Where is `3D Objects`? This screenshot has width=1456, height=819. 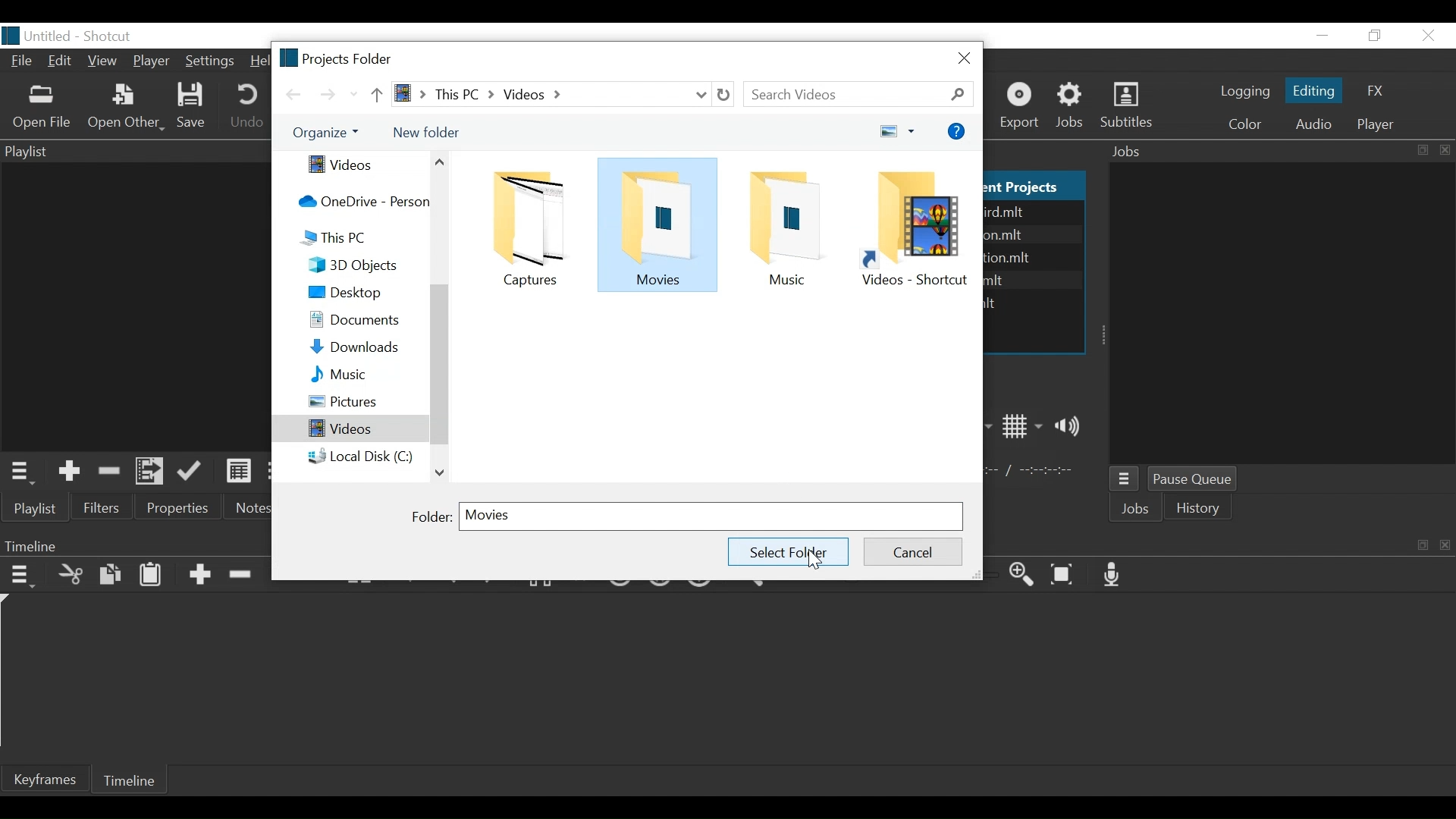 3D Objects is located at coordinates (362, 265).